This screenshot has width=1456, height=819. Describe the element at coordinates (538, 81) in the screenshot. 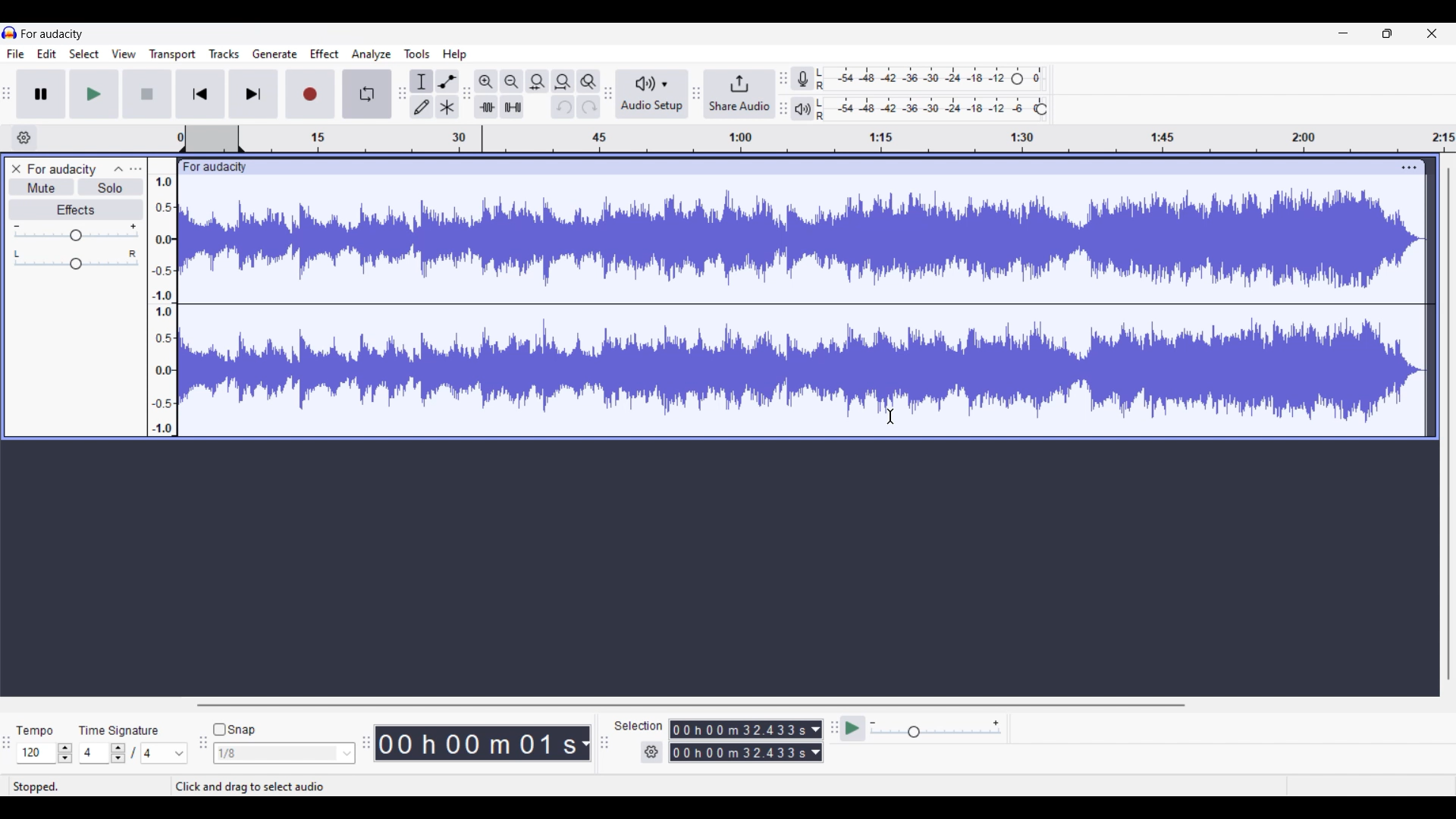

I see `Fit selection to width` at that location.